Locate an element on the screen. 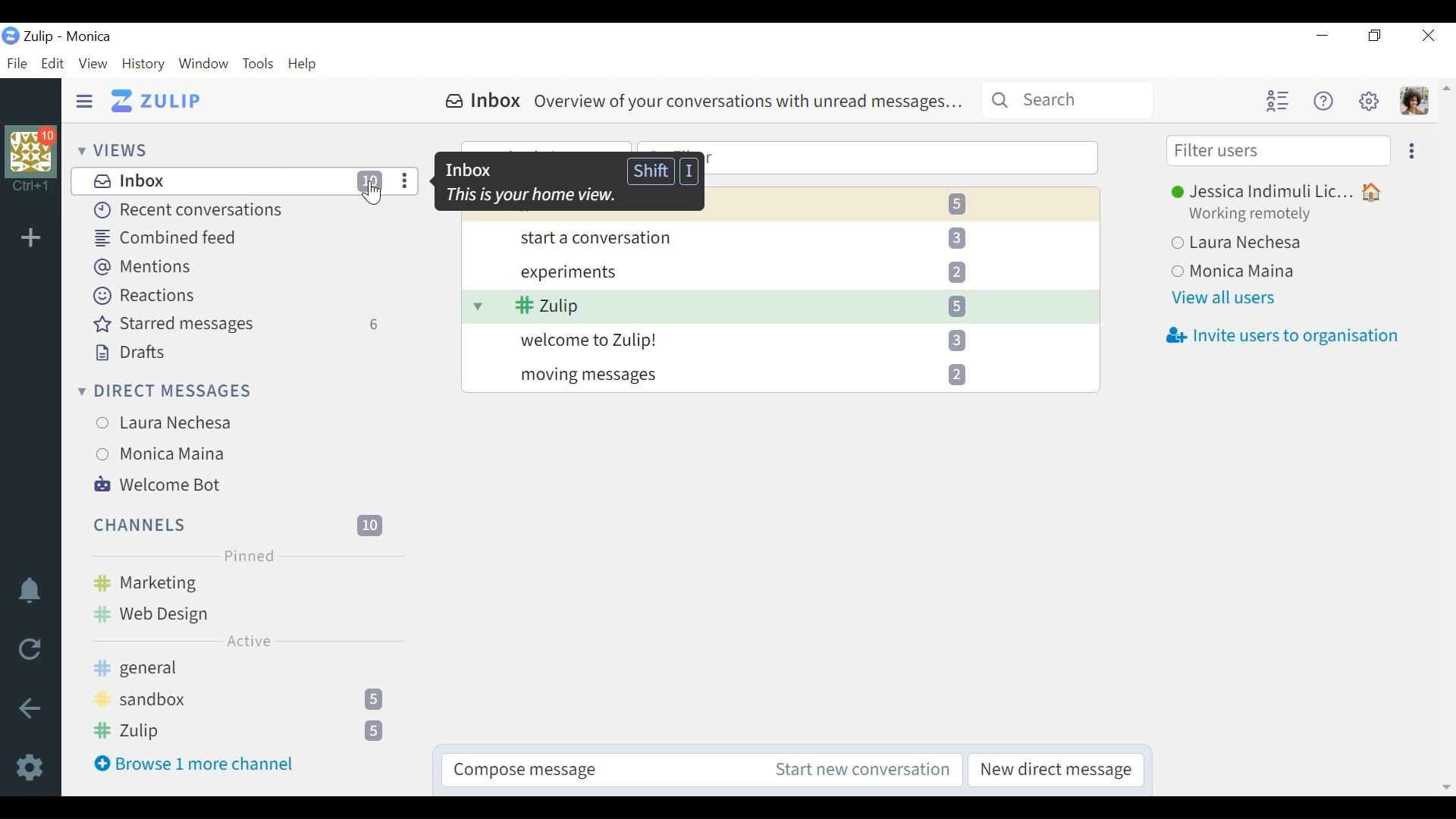 The width and height of the screenshot is (1456, 819). Dialogue box is located at coordinates (568, 182).